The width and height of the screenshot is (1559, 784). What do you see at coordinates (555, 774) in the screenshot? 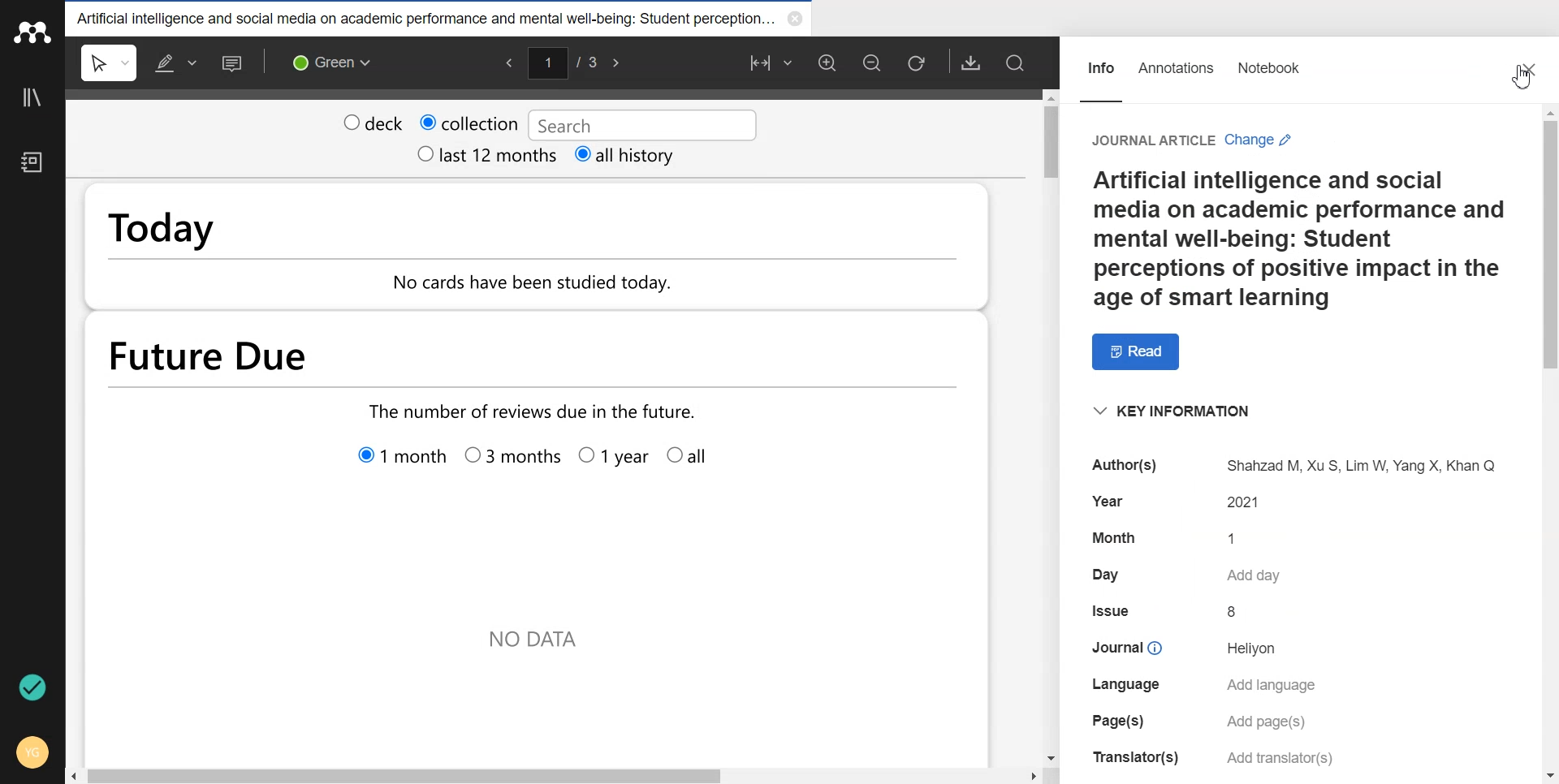
I see `Horizontal scroll bar` at bounding box center [555, 774].